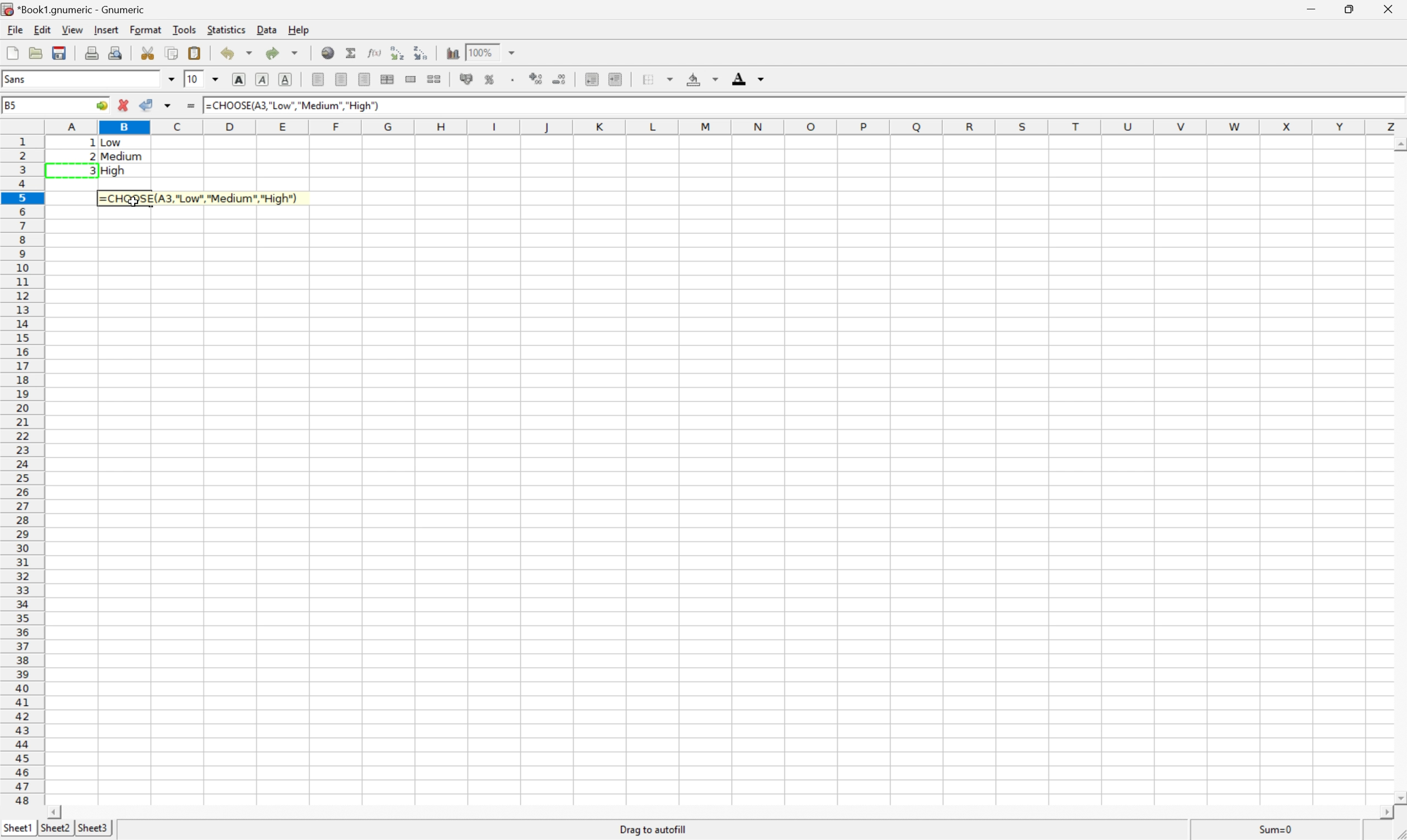  Describe the element at coordinates (114, 52) in the screenshot. I see `Print preview` at that location.